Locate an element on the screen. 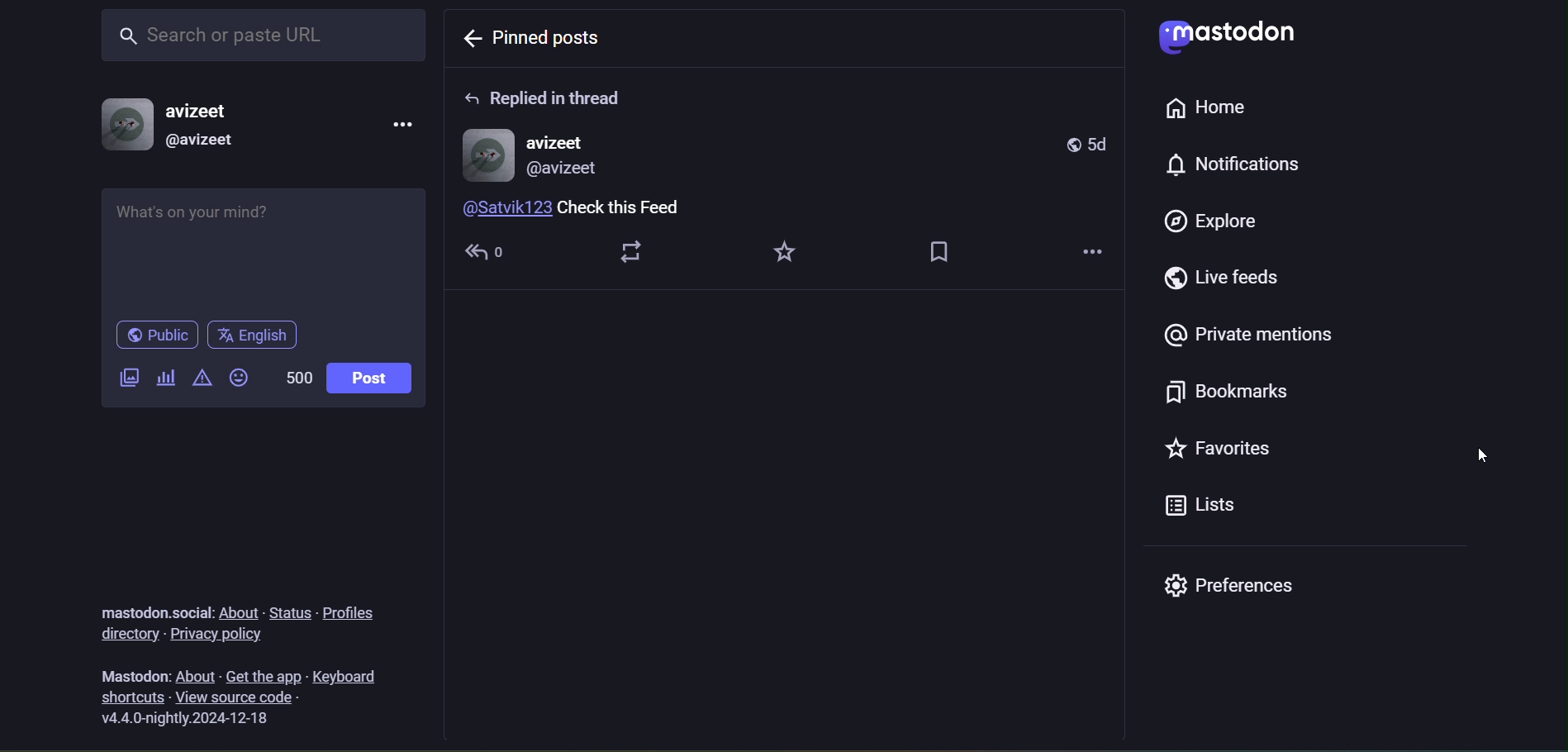 This screenshot has height=752, width=1568. favorites is located at coordinates (1227, 450).